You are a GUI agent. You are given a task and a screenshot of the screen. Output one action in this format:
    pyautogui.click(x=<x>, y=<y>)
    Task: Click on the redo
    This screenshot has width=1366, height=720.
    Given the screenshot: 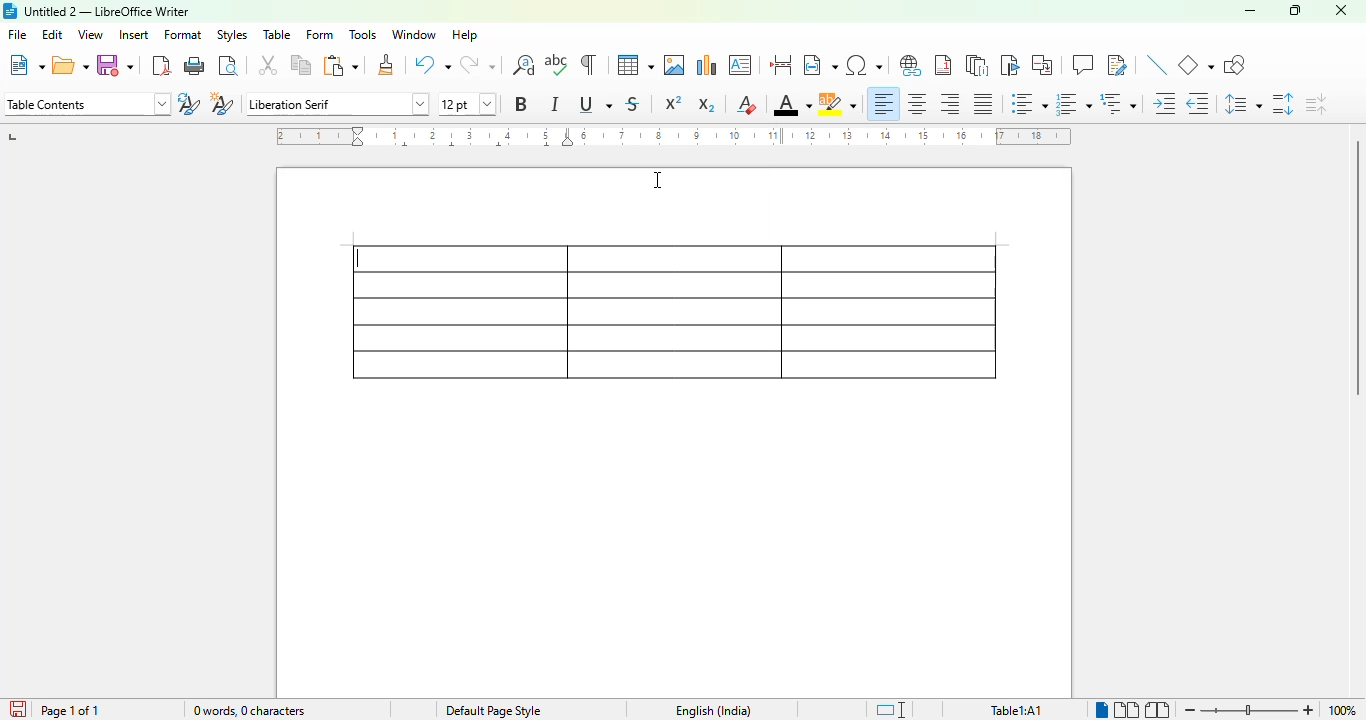 What is the action you would take?
    pyautogui.click(x=478, y=64)
    